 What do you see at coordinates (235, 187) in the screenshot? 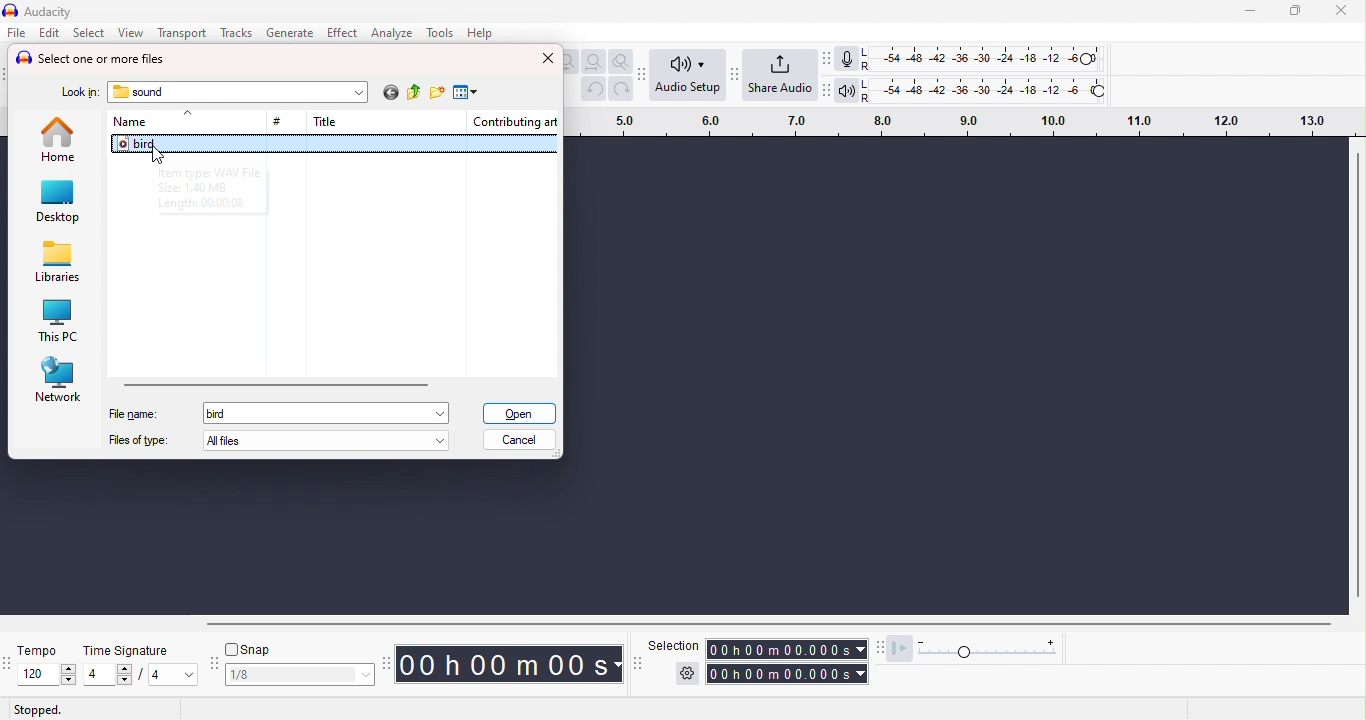
I see `dialog box with file information` at bounding box center [235, 187].